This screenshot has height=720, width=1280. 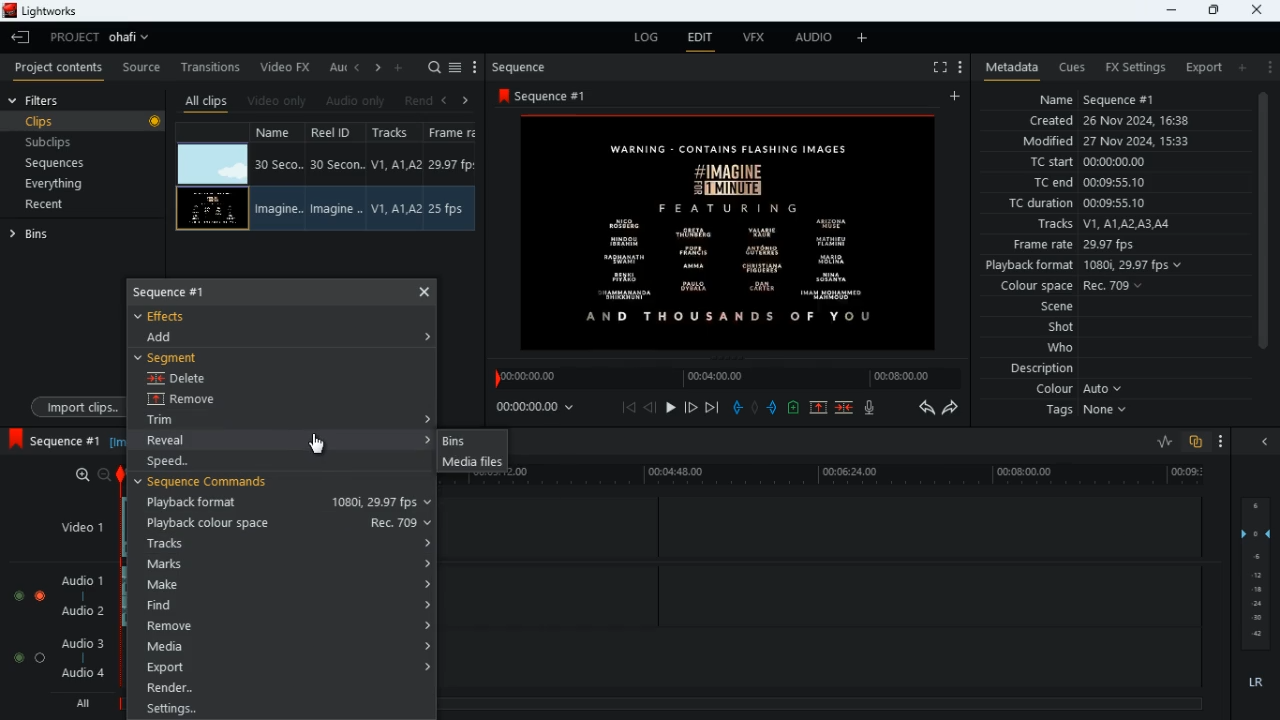 What do you see at coordinates (39, 657) in the screenshot?
I see `toggle` at bounding box center [39, 657].